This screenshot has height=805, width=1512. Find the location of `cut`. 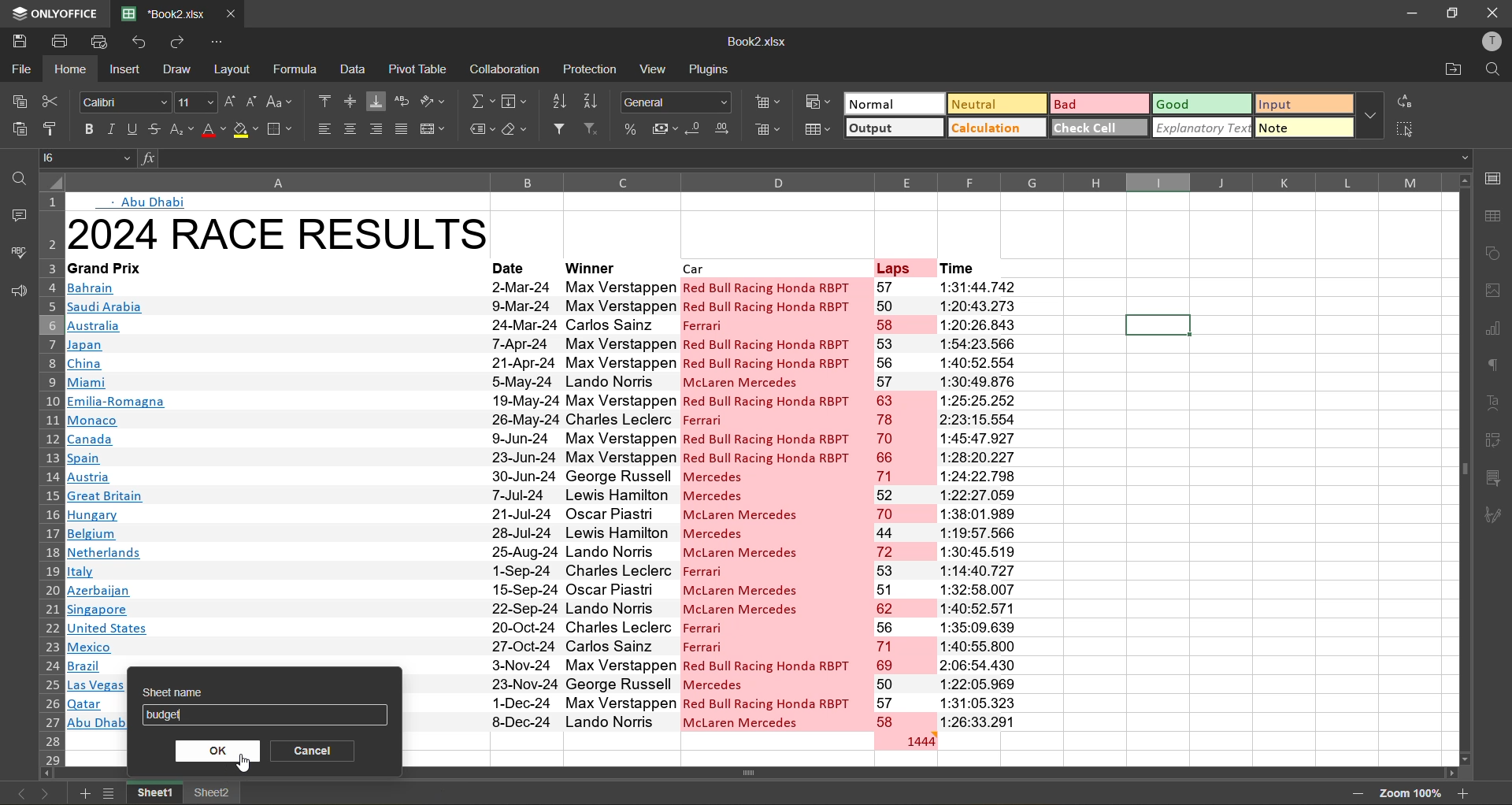

cut is located at coordinates (52, 101).